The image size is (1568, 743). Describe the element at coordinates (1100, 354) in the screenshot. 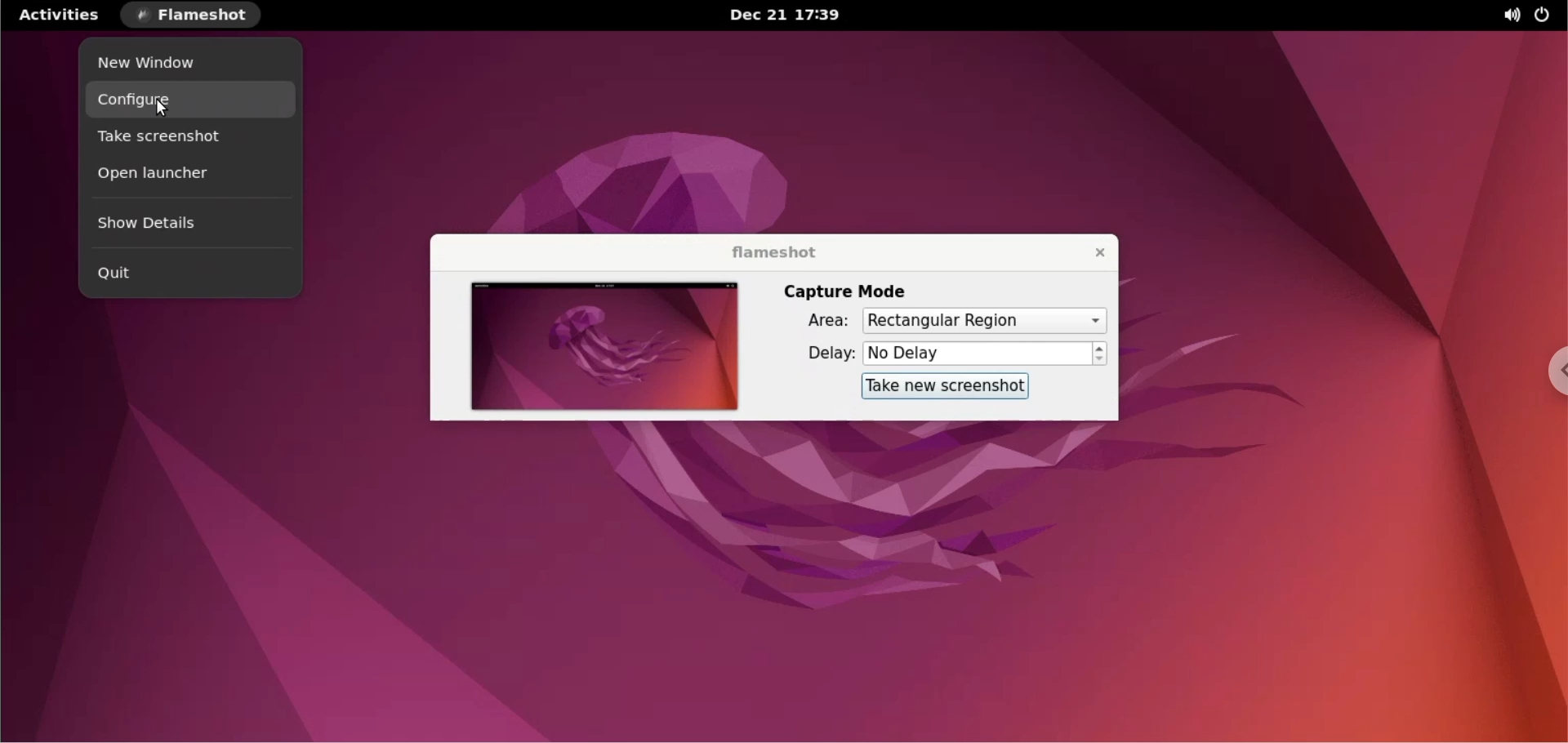

I see `increment and decrement delay time` at that location.